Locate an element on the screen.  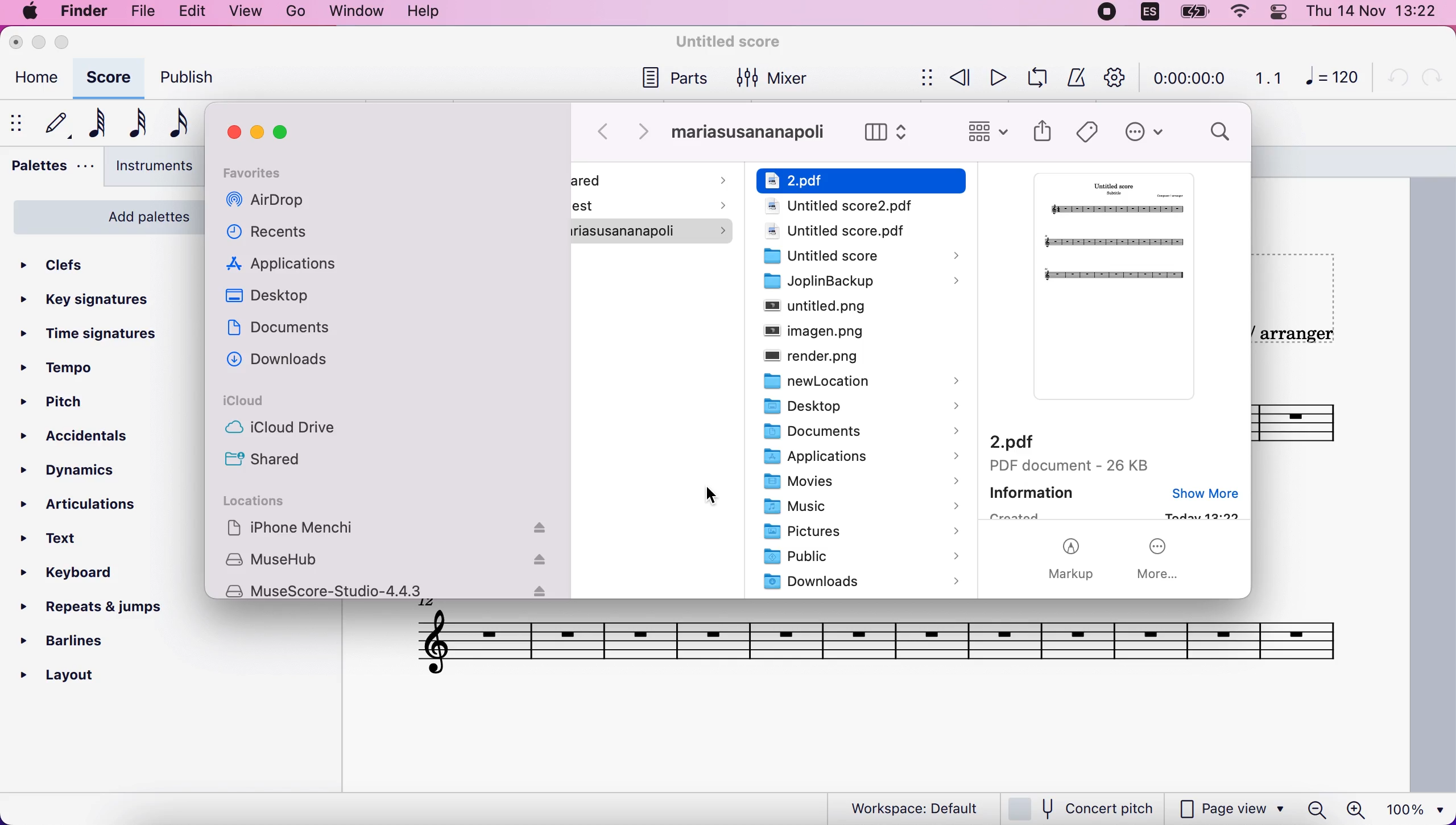
zoom in is located at coordinates (1359, 808).